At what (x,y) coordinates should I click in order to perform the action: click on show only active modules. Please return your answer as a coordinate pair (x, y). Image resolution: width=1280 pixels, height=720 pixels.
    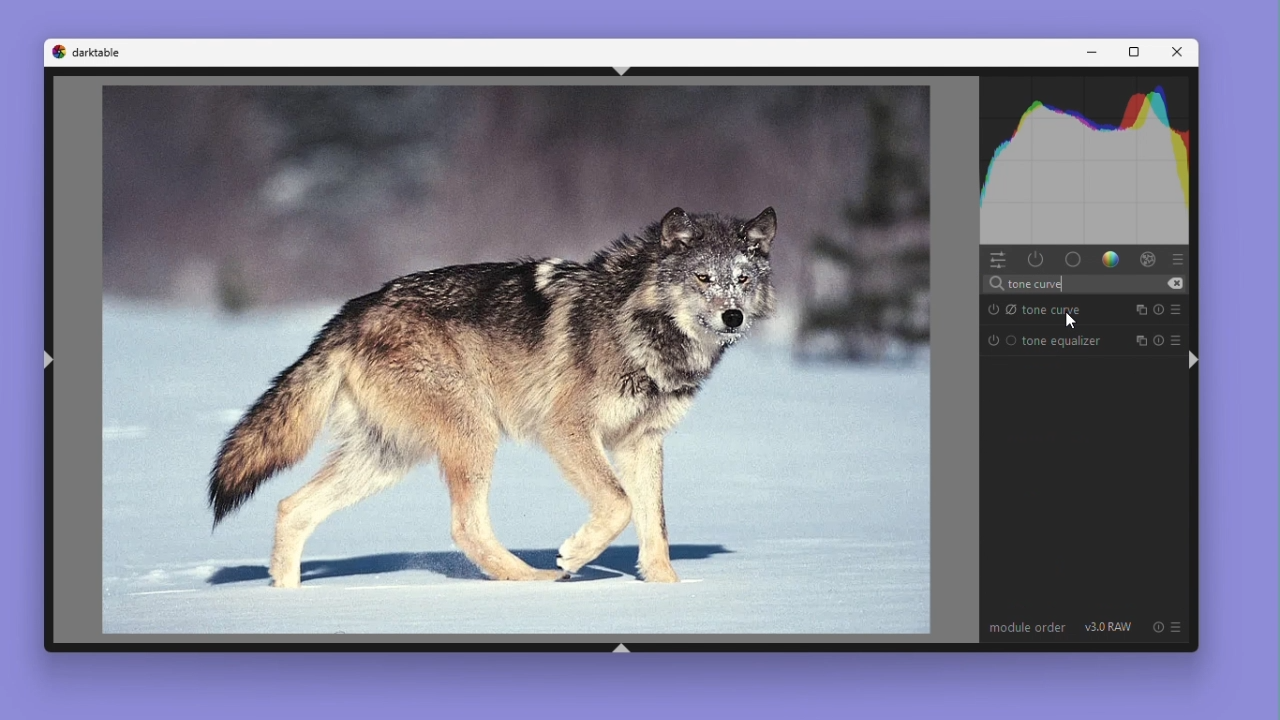
    Looking at the image, I should click on (1035, 260).